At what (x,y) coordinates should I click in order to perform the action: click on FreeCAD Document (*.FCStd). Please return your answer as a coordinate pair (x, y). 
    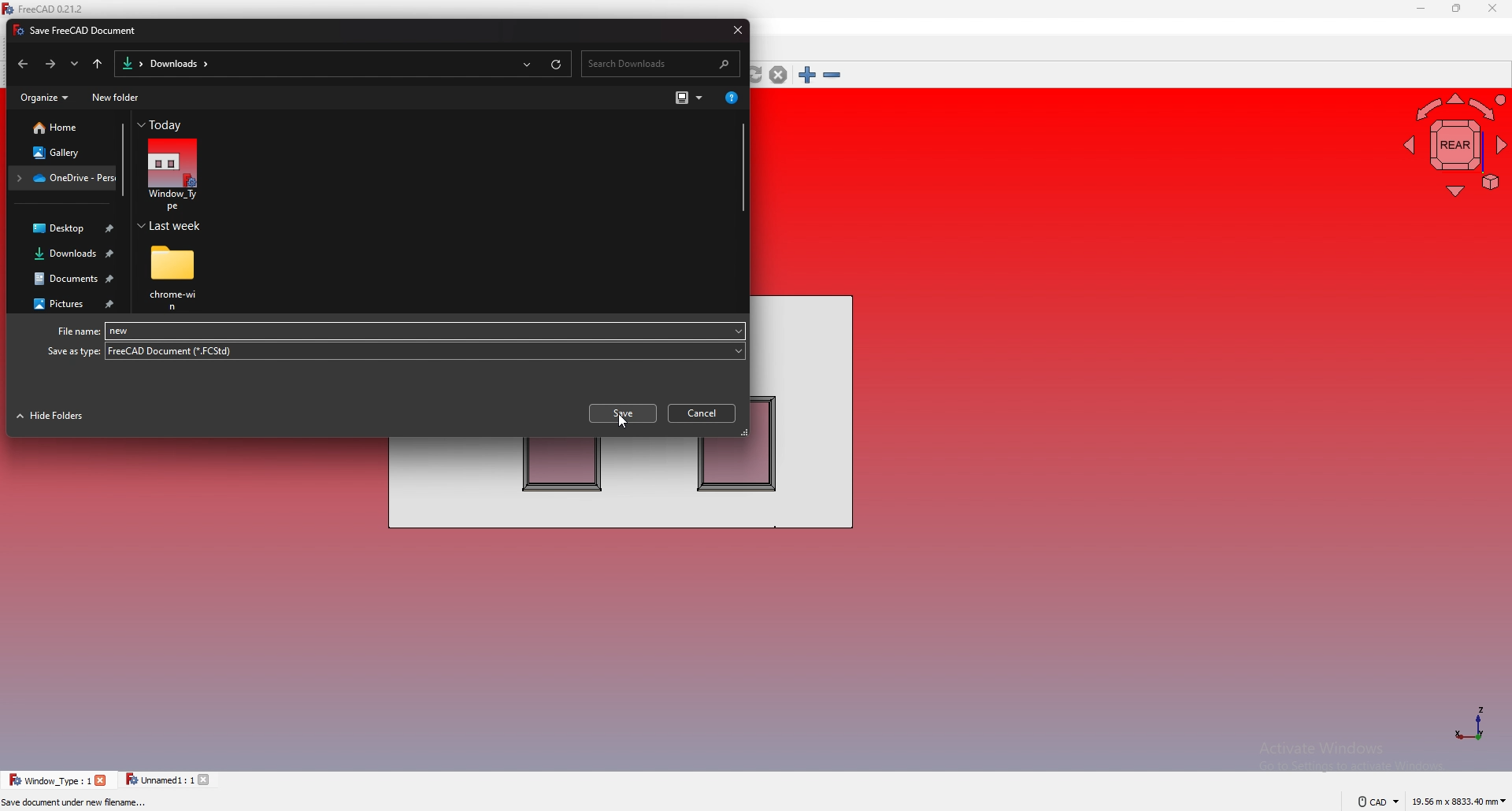
    Looking at the image, I should click on (424, 351).